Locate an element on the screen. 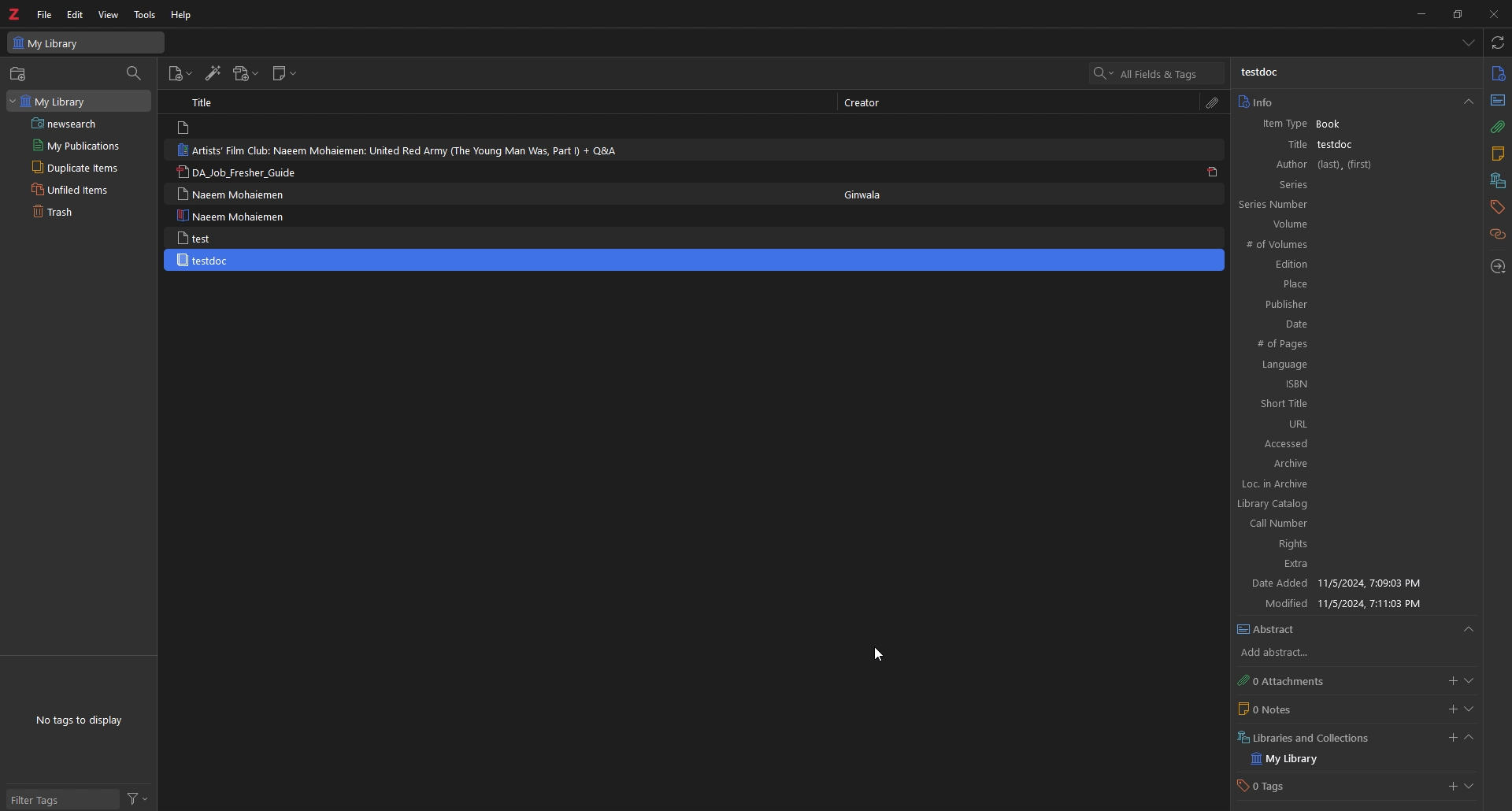 The image size is (1512, 811). locate is located at coordinates (1499, 268).